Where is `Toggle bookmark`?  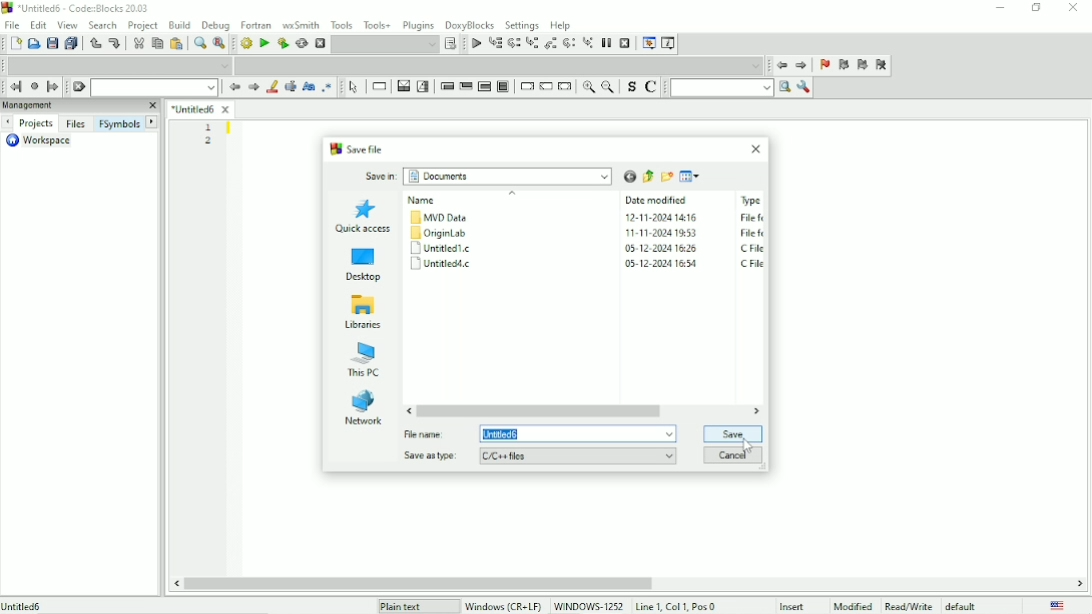 Toggle bookmark is located at coordinates (825, 66).